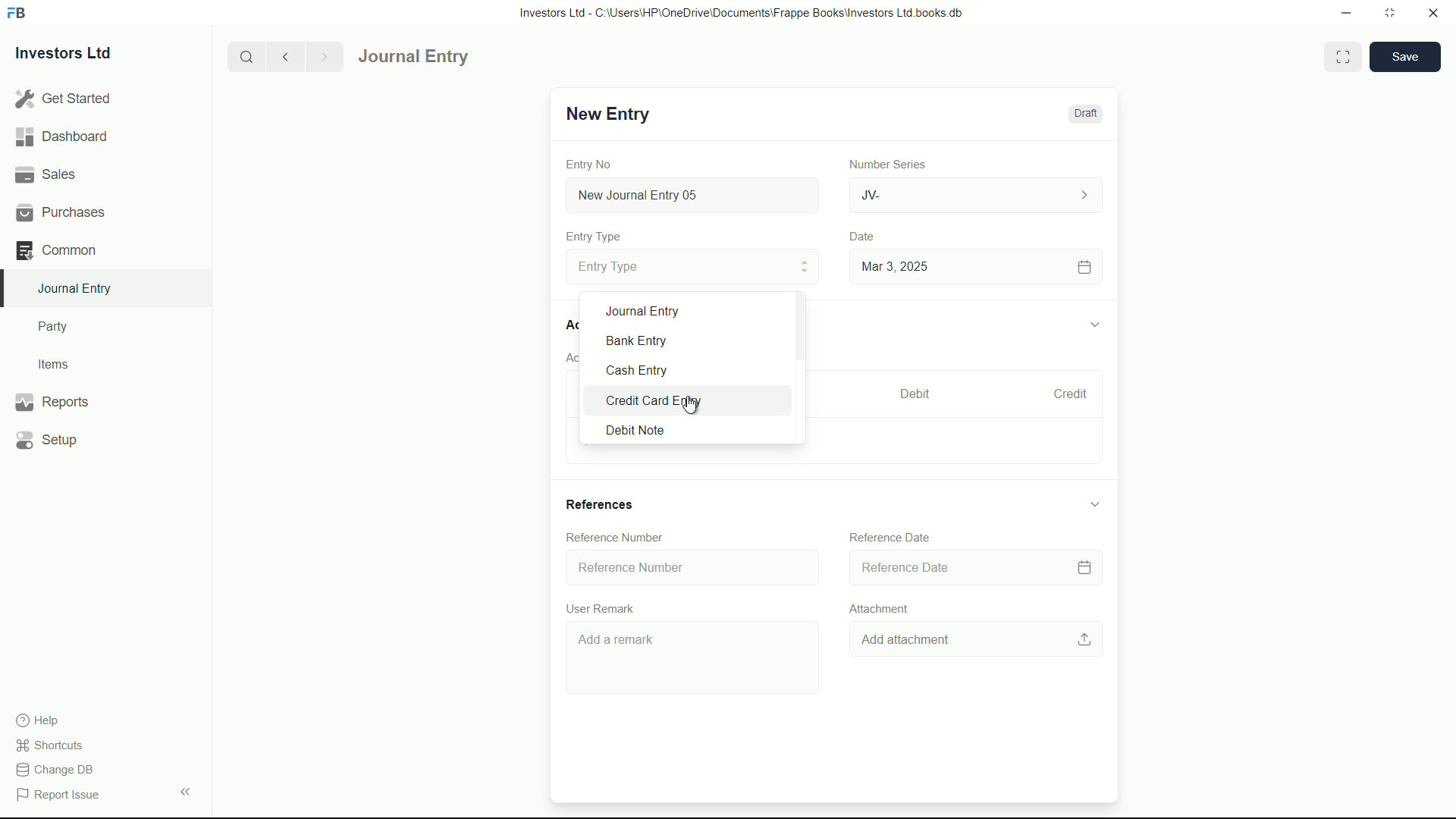 Image resolution: width=1456 pixels, height=819 pixels. I want to click on Investors Ltd - C:\Users\HP\OneDrive\Documents\Frappe Books\Investors Ltd books.db, so click(743, 12).